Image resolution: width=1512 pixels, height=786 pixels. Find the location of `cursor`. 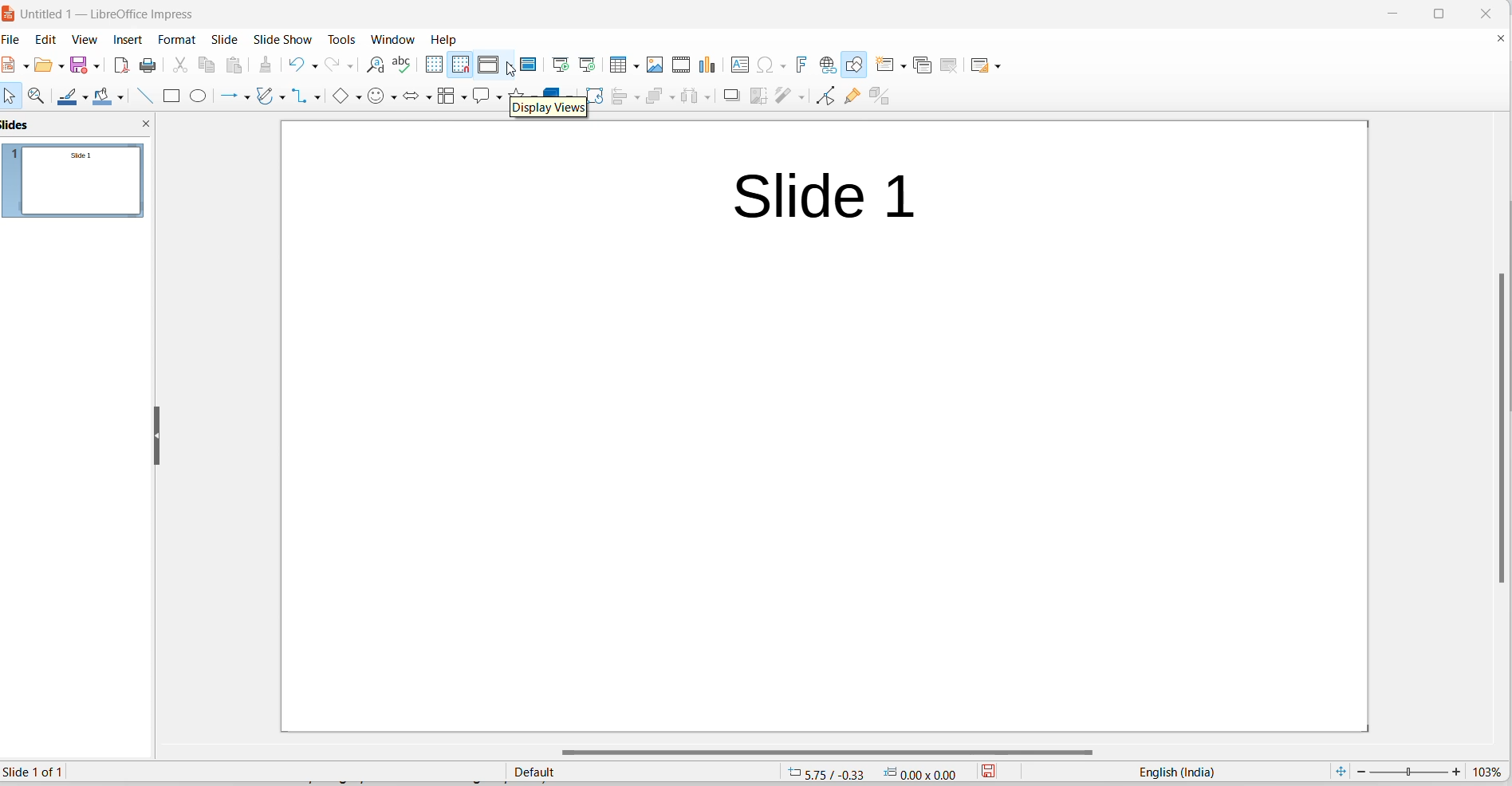

cursor is located at coordinates (513, 71).